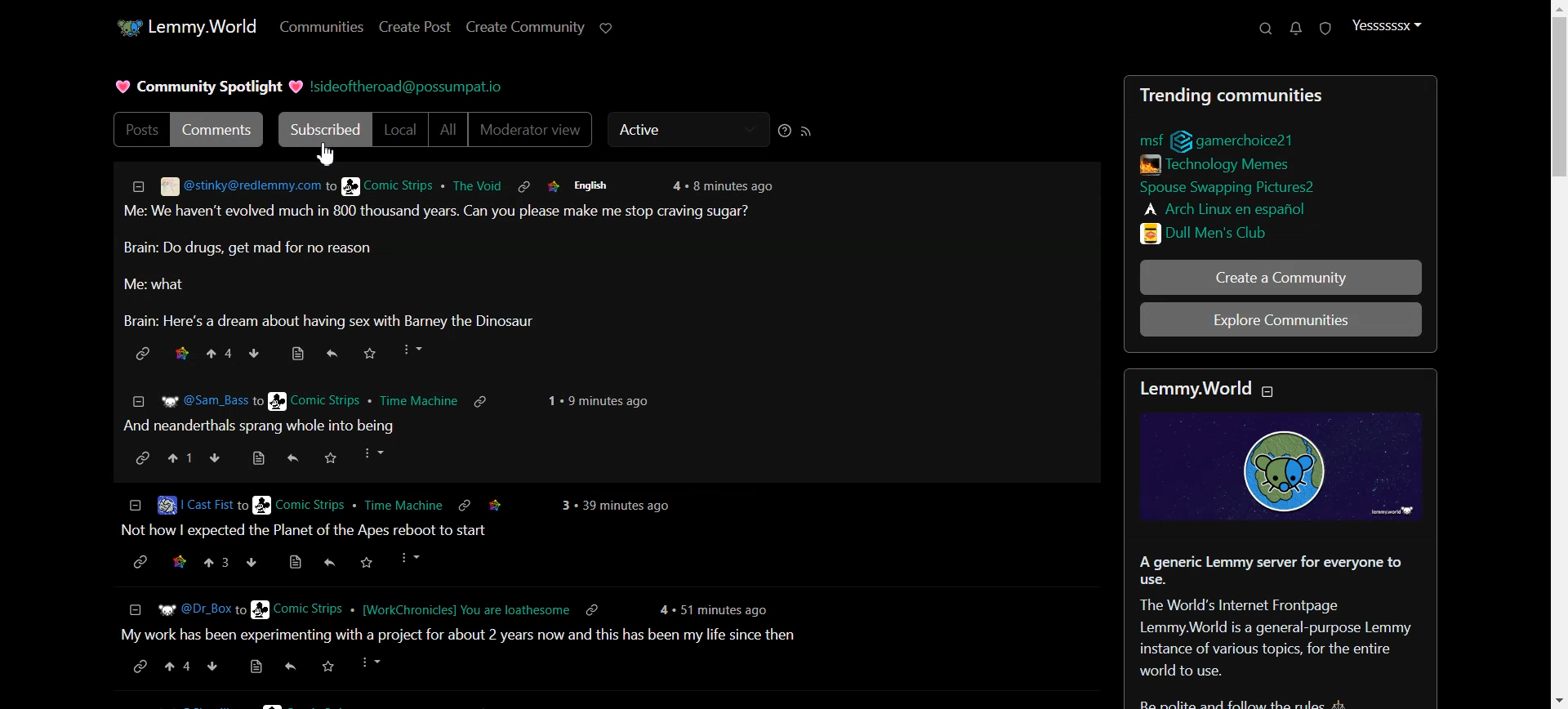  What do you see at coordinates (1281, 319) in the screenshot?
I see `Explore Community` at bounding box center [1281, 319].